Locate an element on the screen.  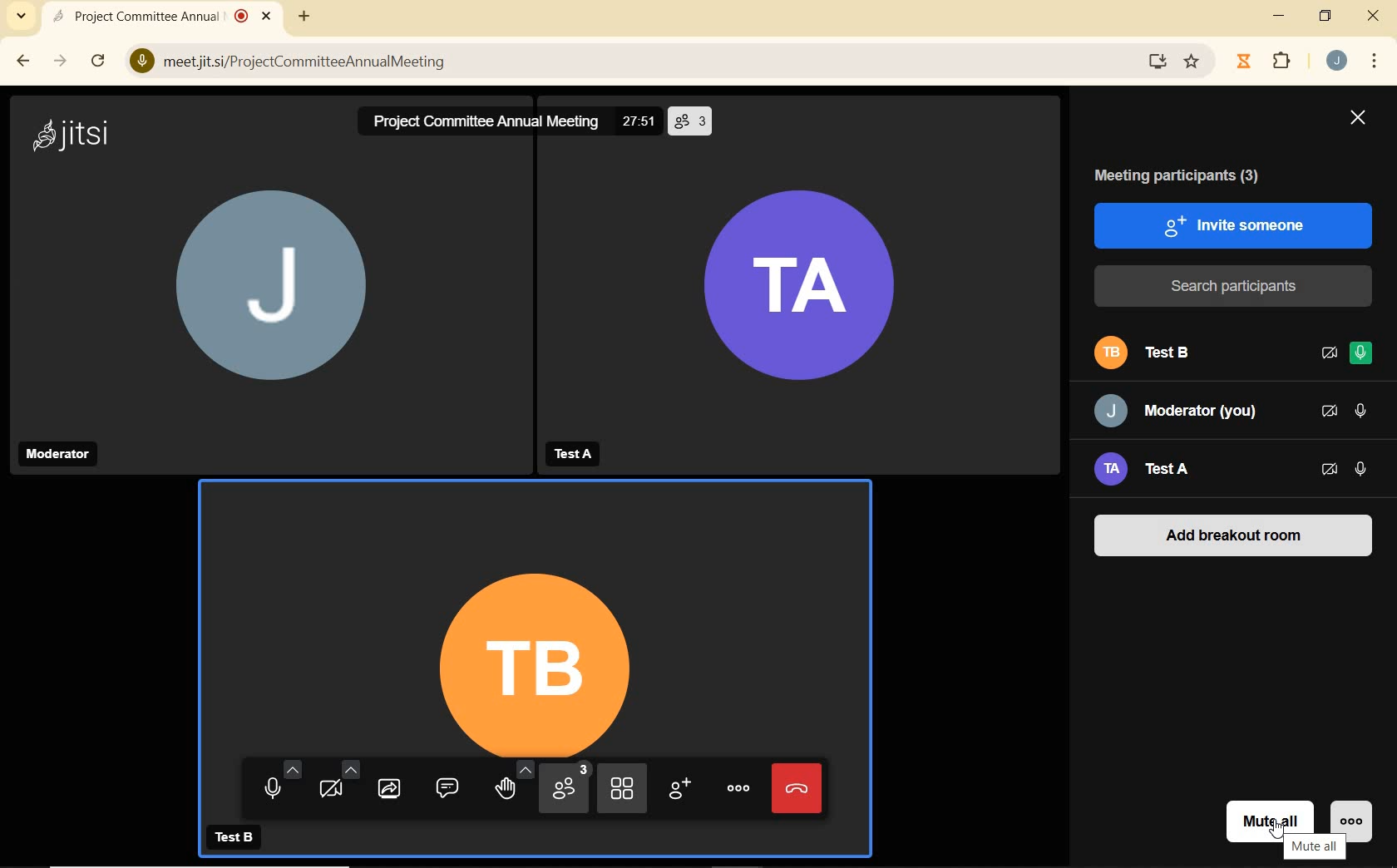
close tab is located at coordinates (265, 17).